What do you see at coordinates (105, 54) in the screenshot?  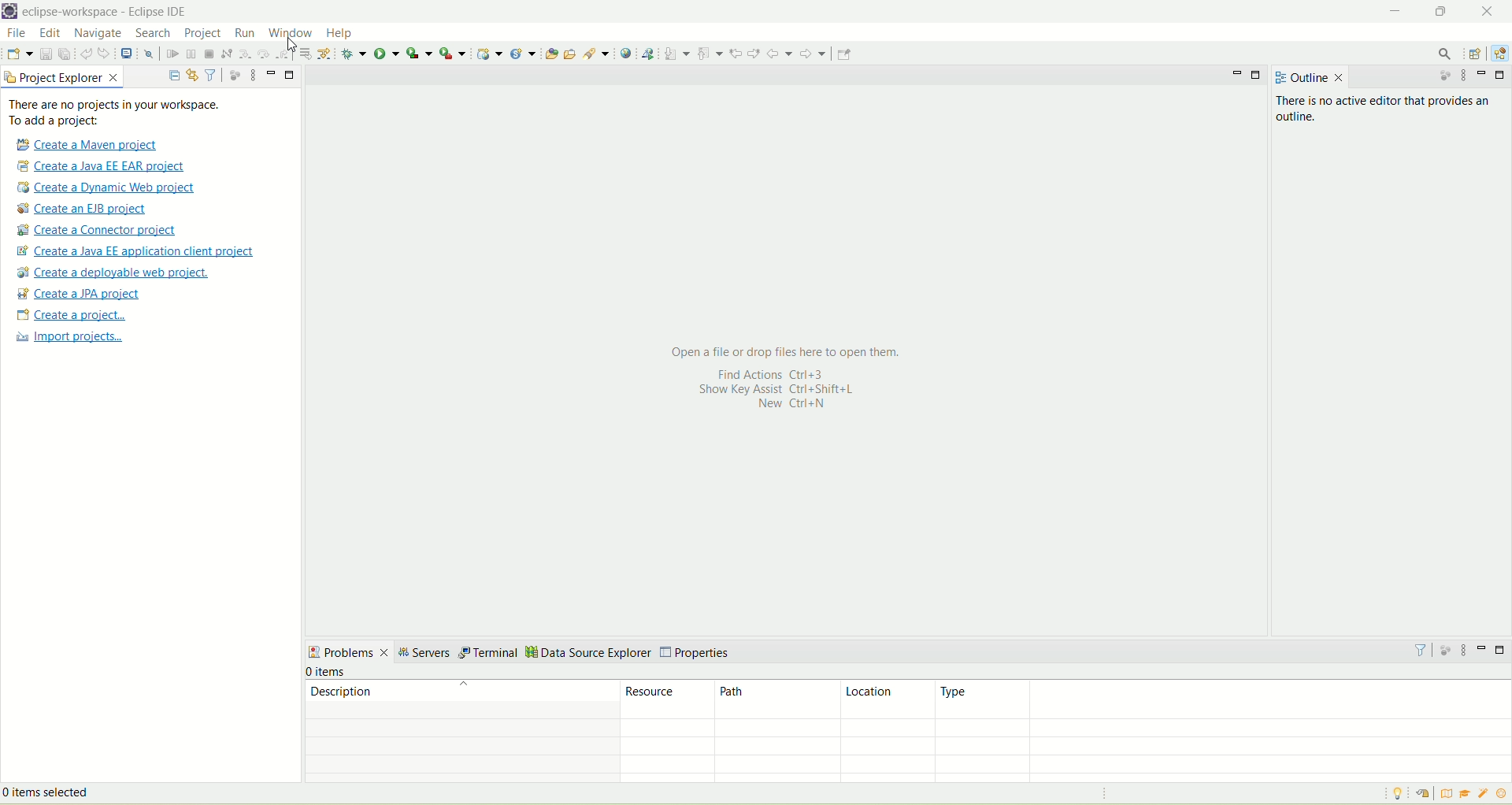 I see `redo` at bounding box center [105, 54].